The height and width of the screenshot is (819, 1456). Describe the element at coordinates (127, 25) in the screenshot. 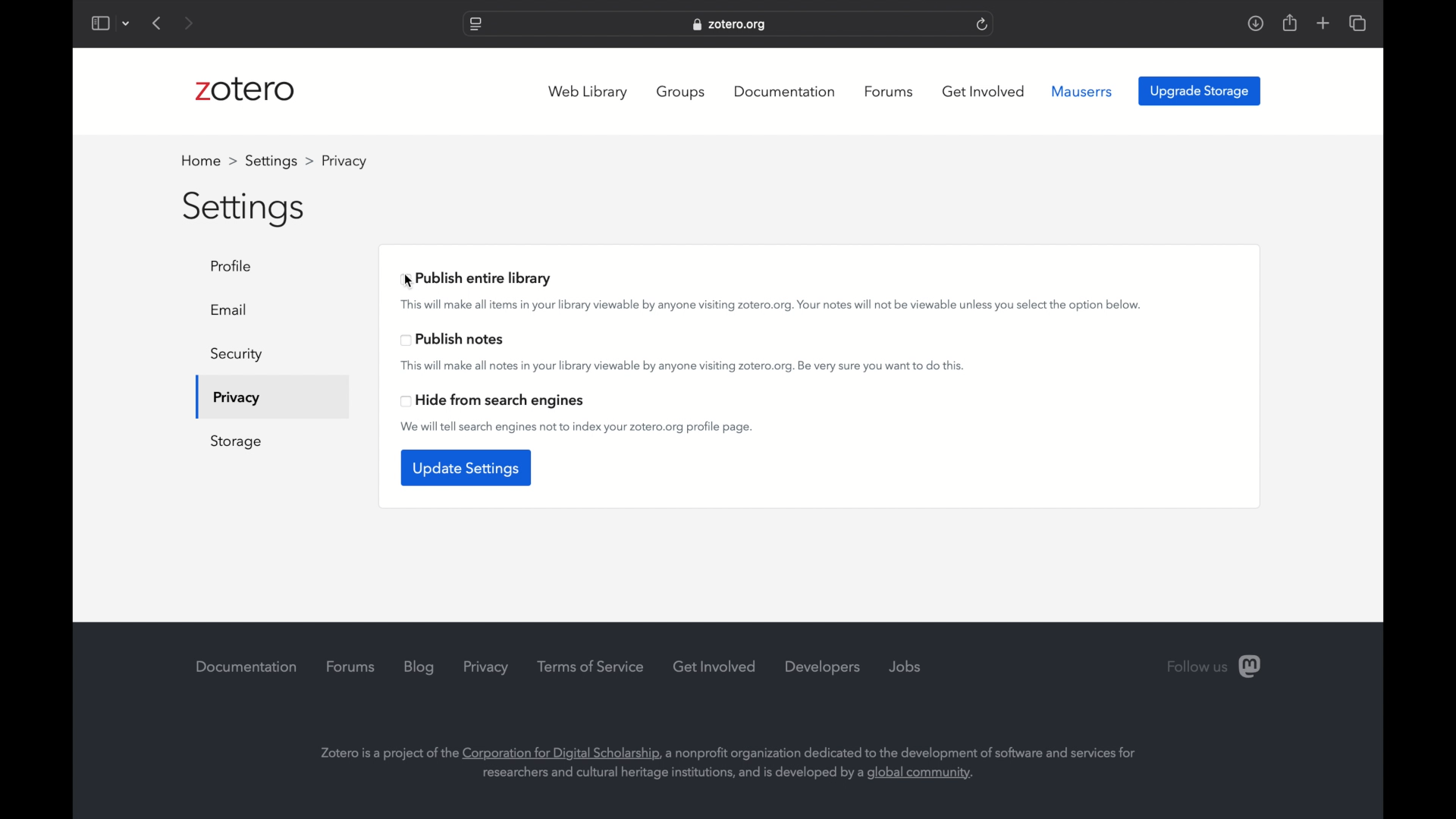

I see `dropdown` at that location.